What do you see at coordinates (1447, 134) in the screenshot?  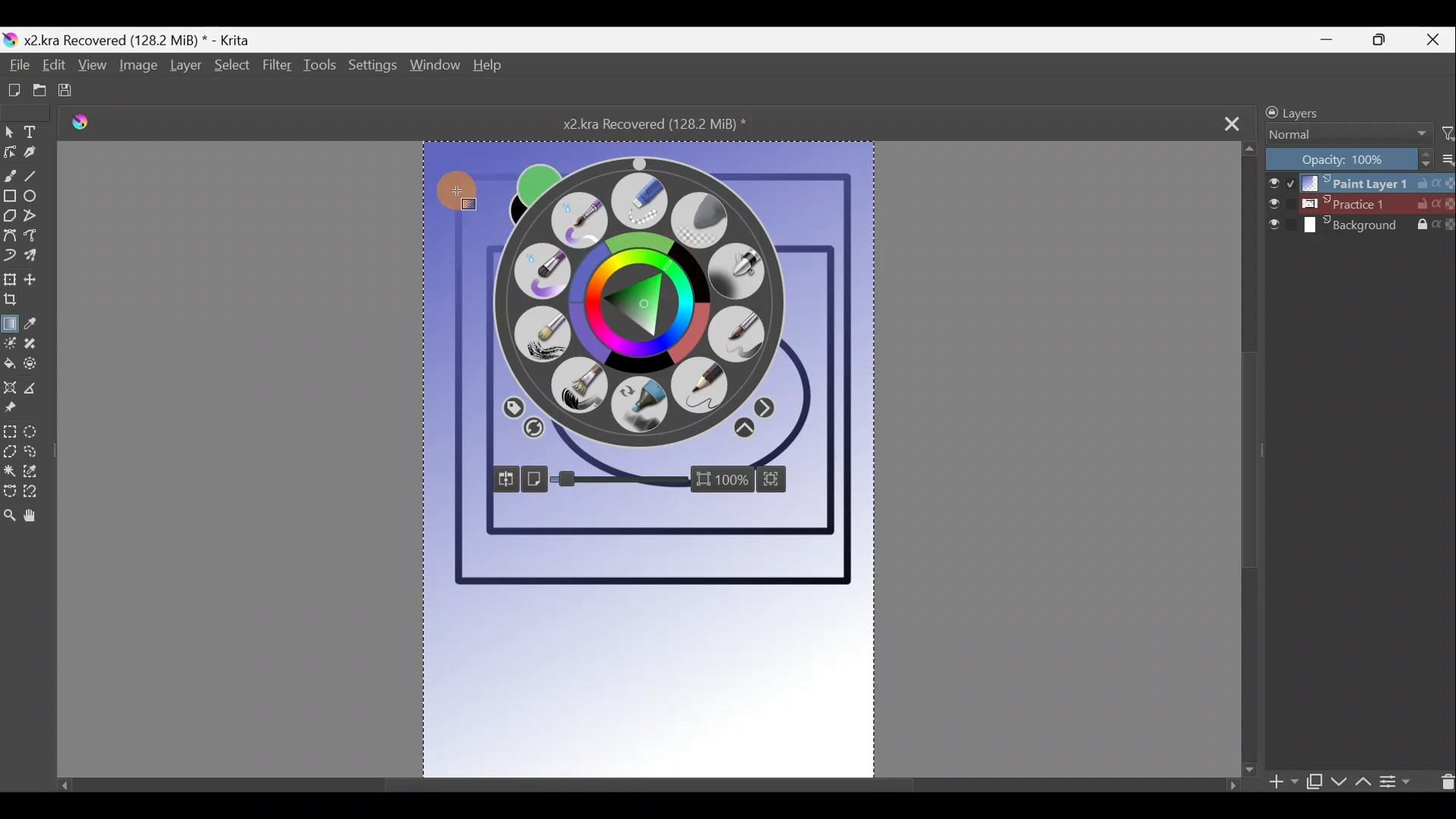 I see `Filter` at bounding box center [1447, 134].